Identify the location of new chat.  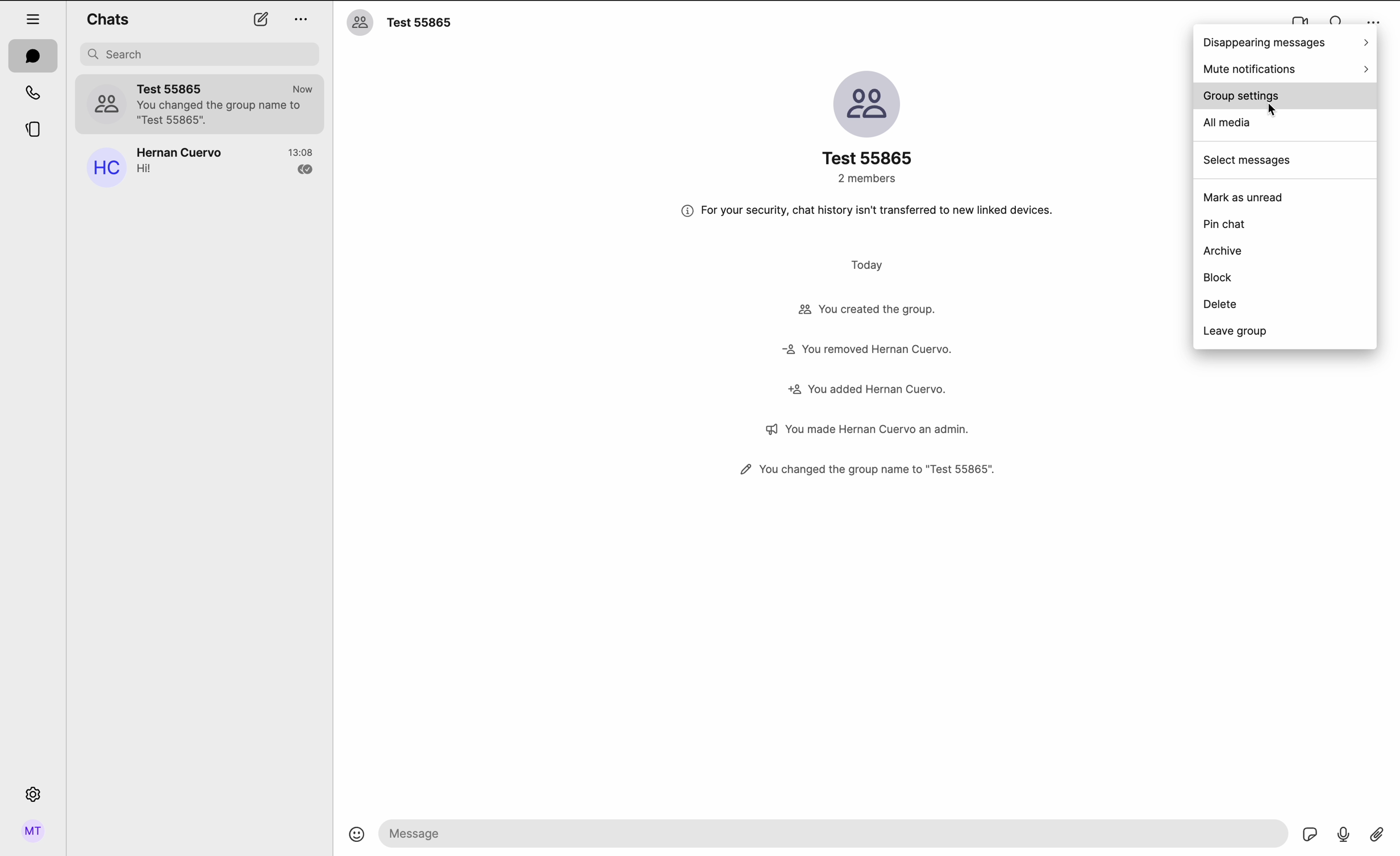
(261, 19).